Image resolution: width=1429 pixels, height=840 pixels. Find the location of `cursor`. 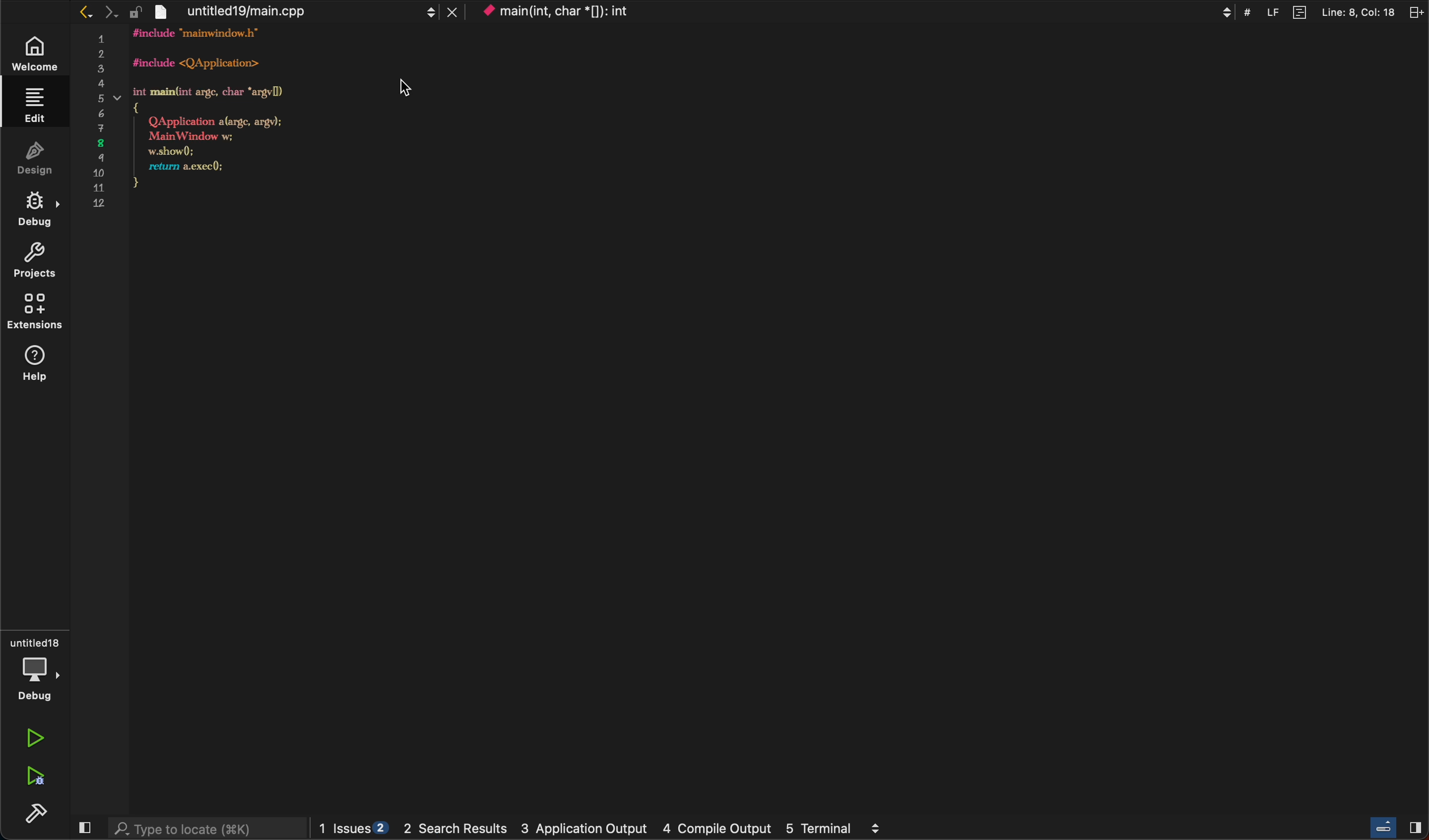

cursor is located at coordinates (400, 86).